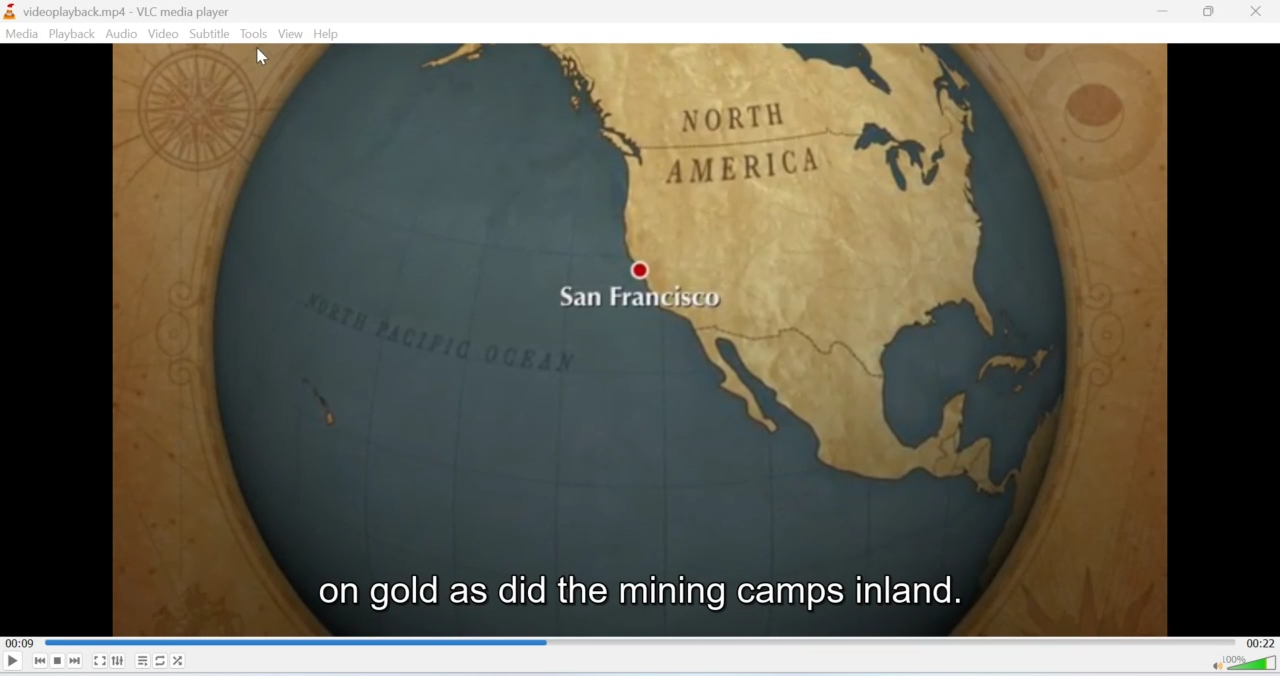 The width and height of the screenshot is (1280, 676). Describe the element at coordinates (161, 660) in the screenshot. I see `Loop` at that location.